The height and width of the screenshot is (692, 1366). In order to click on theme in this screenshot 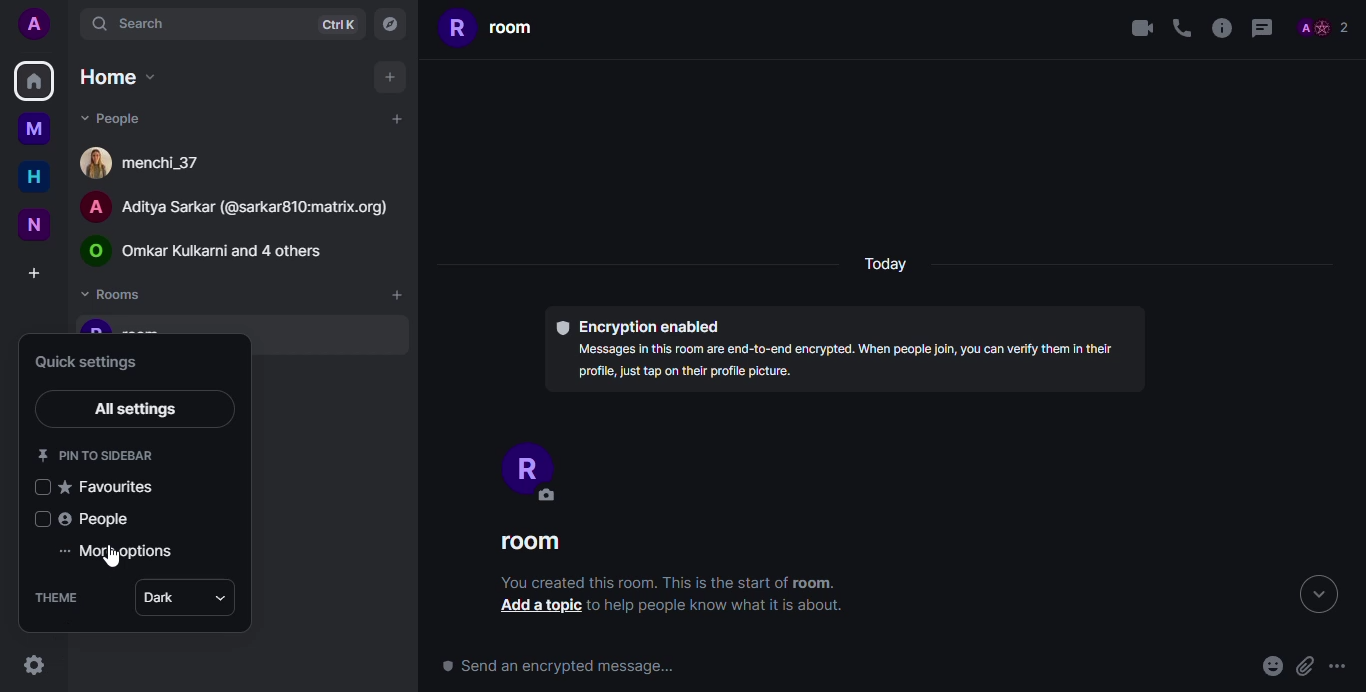, I will do `click(60, 597)`.